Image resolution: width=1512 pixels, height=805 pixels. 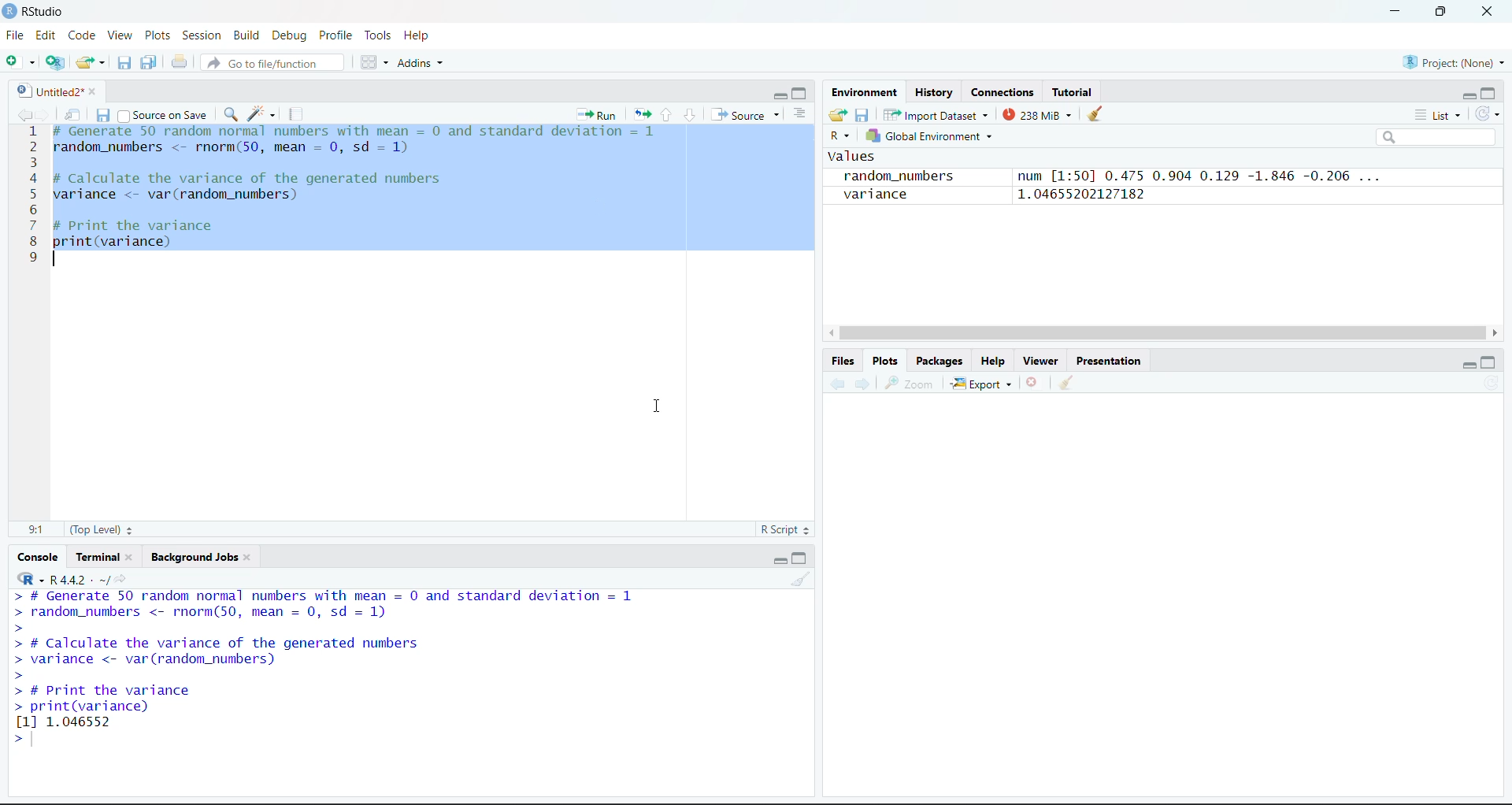 I want to click on Top Level, so click(x=102, y=529).